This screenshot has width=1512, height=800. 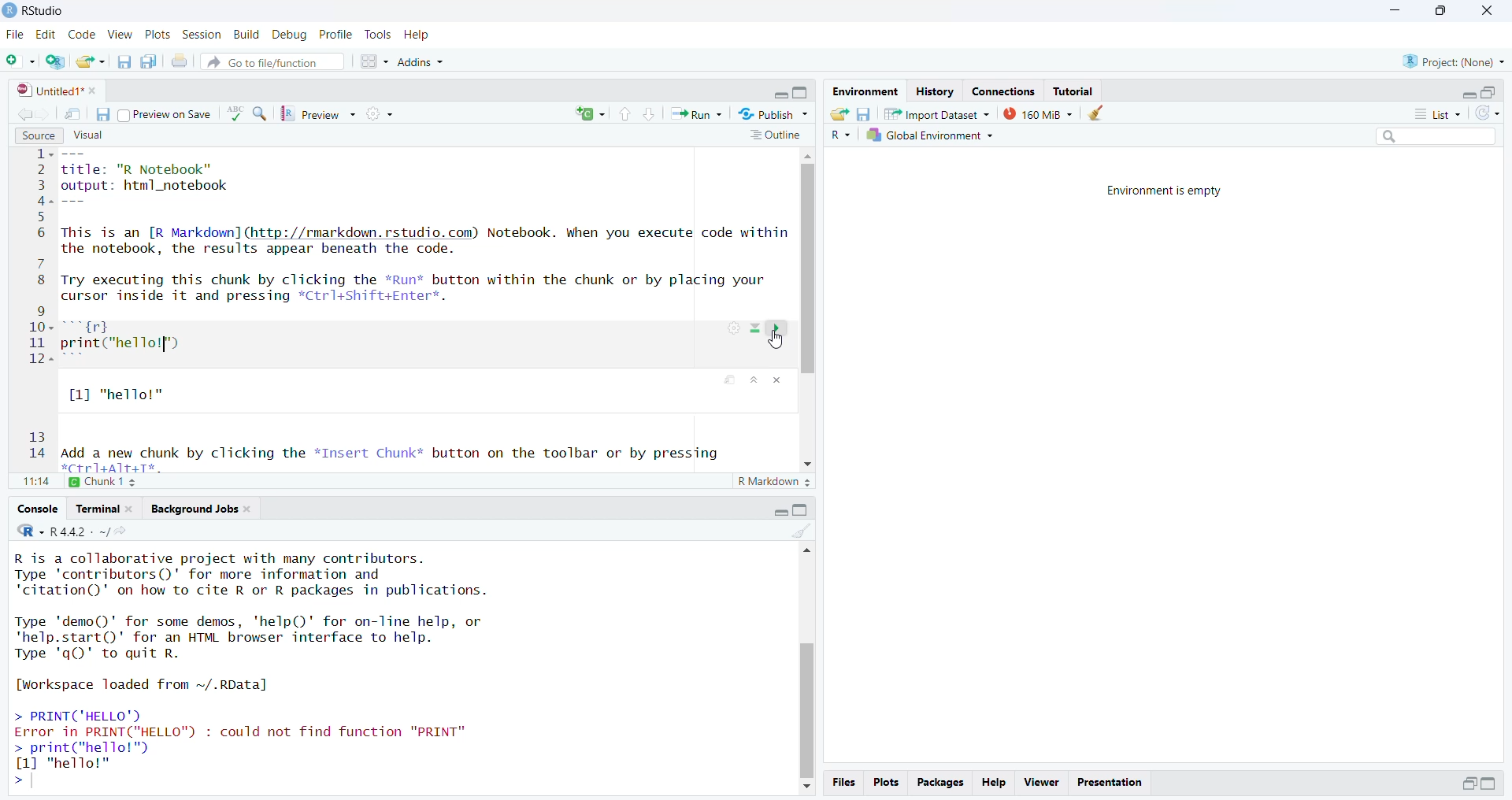 I want to click on text cursor, so click(x=36, y=780).